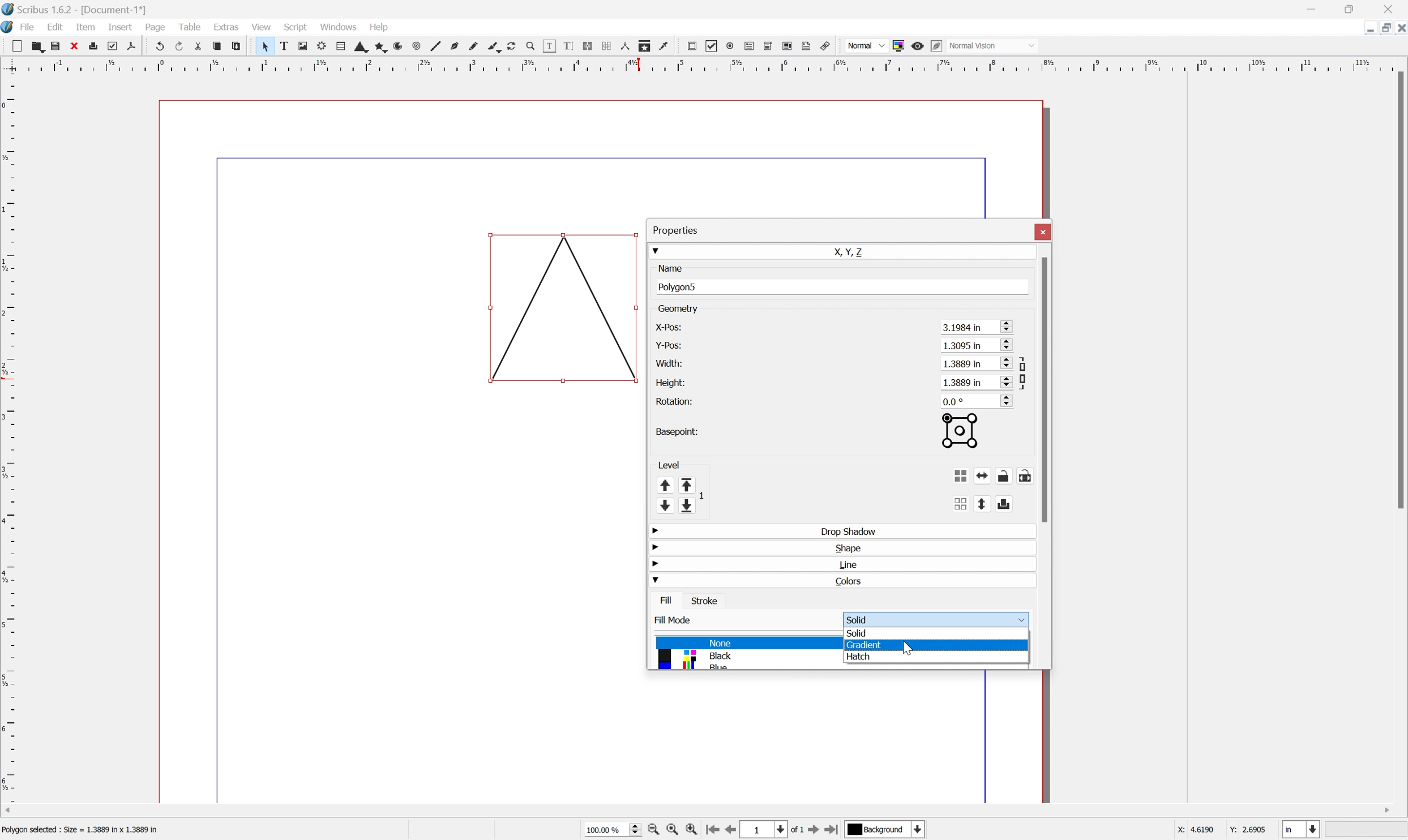 The height and width of the screenshot is (840, 1408). I want to click on Minimize, so click(1368, 28).